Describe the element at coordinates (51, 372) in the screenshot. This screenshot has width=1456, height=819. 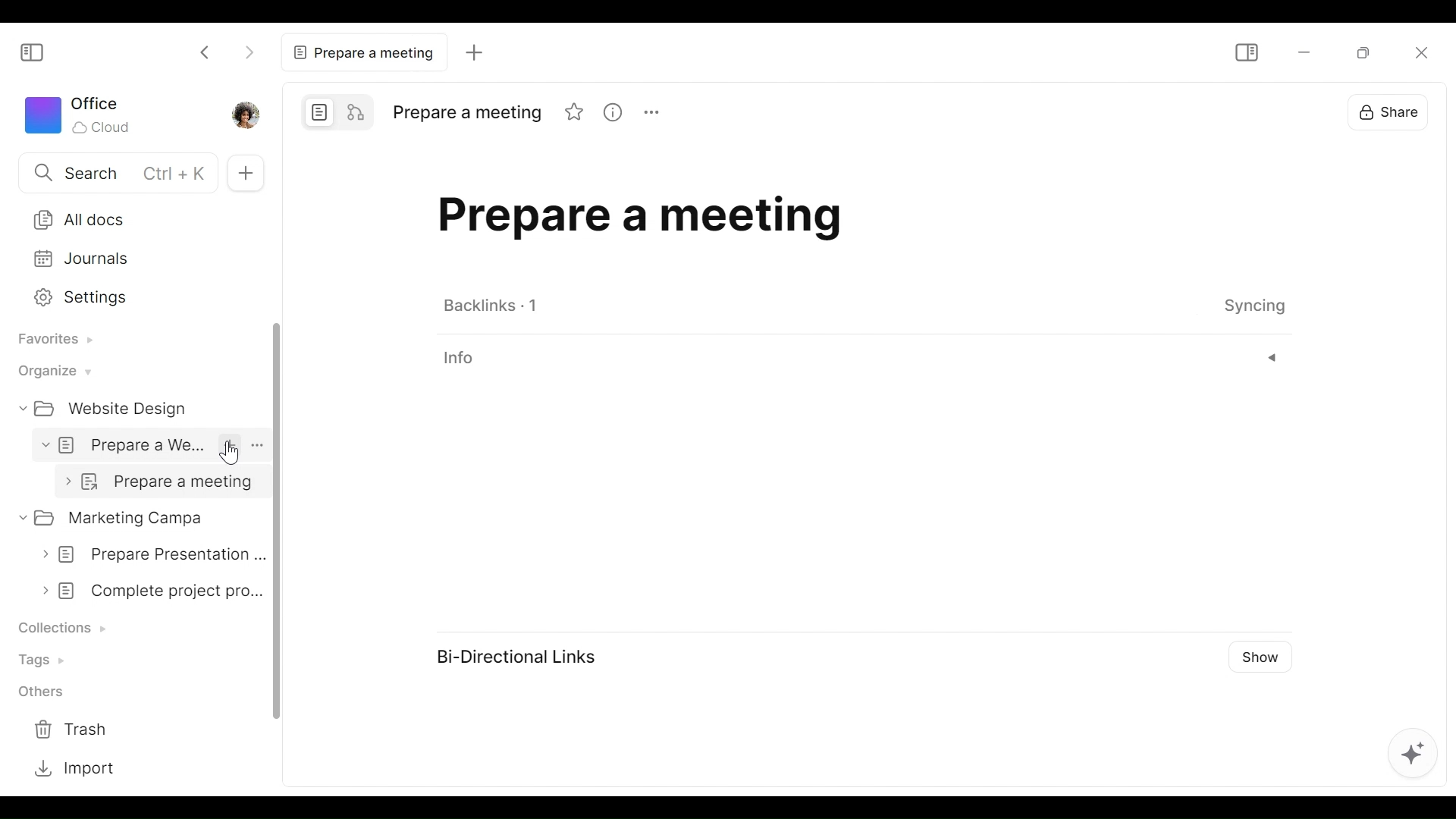
I see `Organize` at that location.